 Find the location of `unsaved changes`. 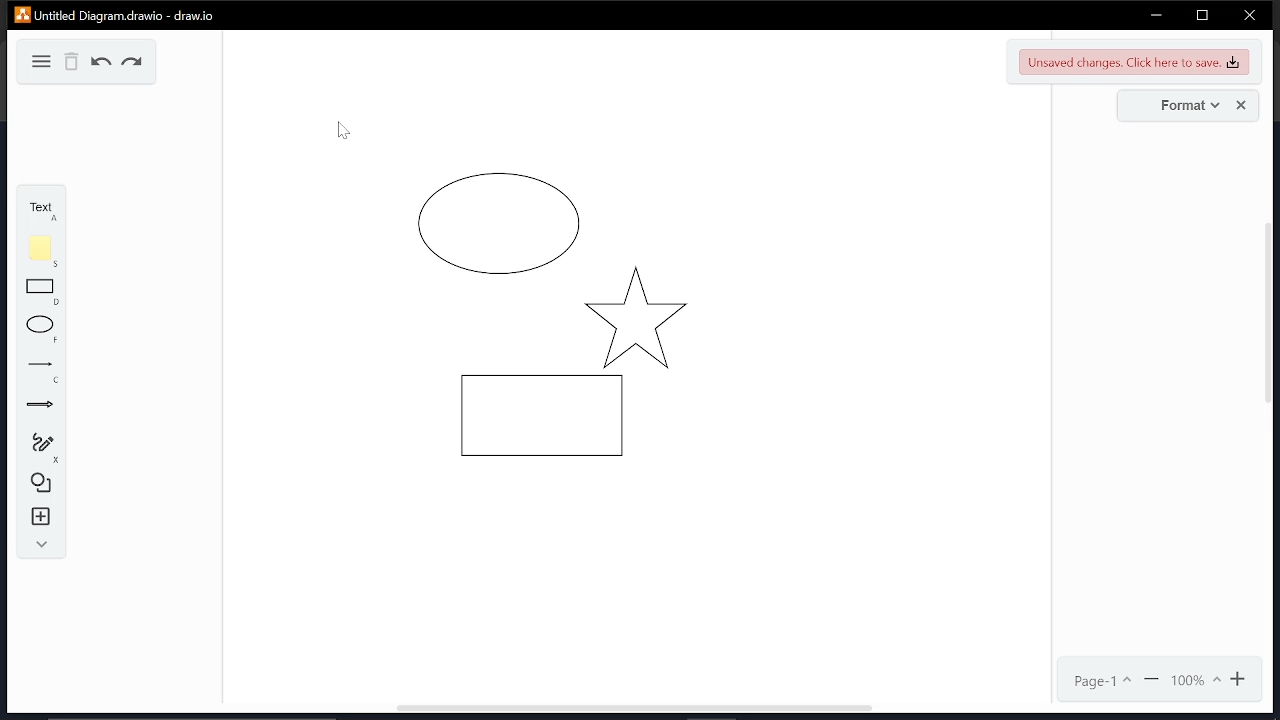

unsaved changes is located at coordinates (1134, 61).